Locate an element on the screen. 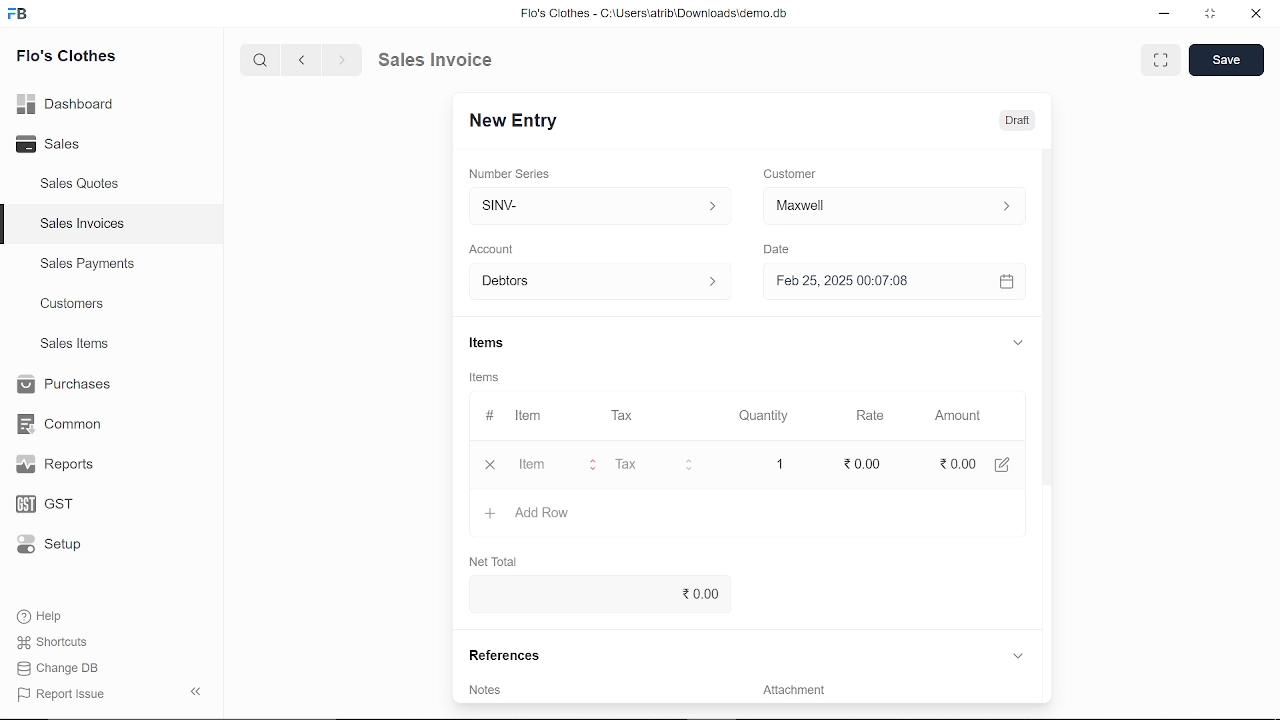 The width and height of the screenshot is (1280, 720). H Feb 25, 2025 00:07:08  is located at coordinates (876, 282).